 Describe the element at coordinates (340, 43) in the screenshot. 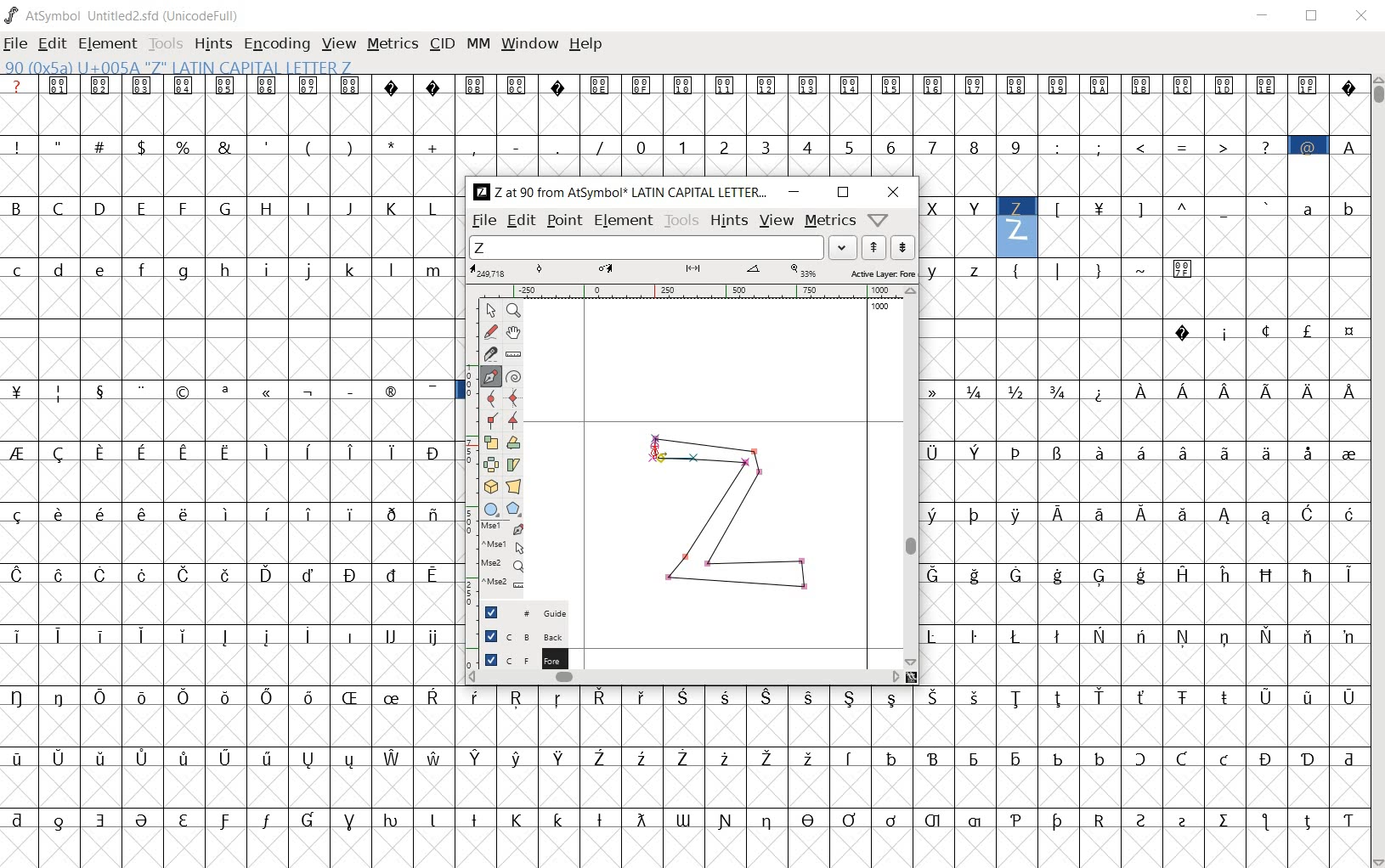

I see `view` at that location.